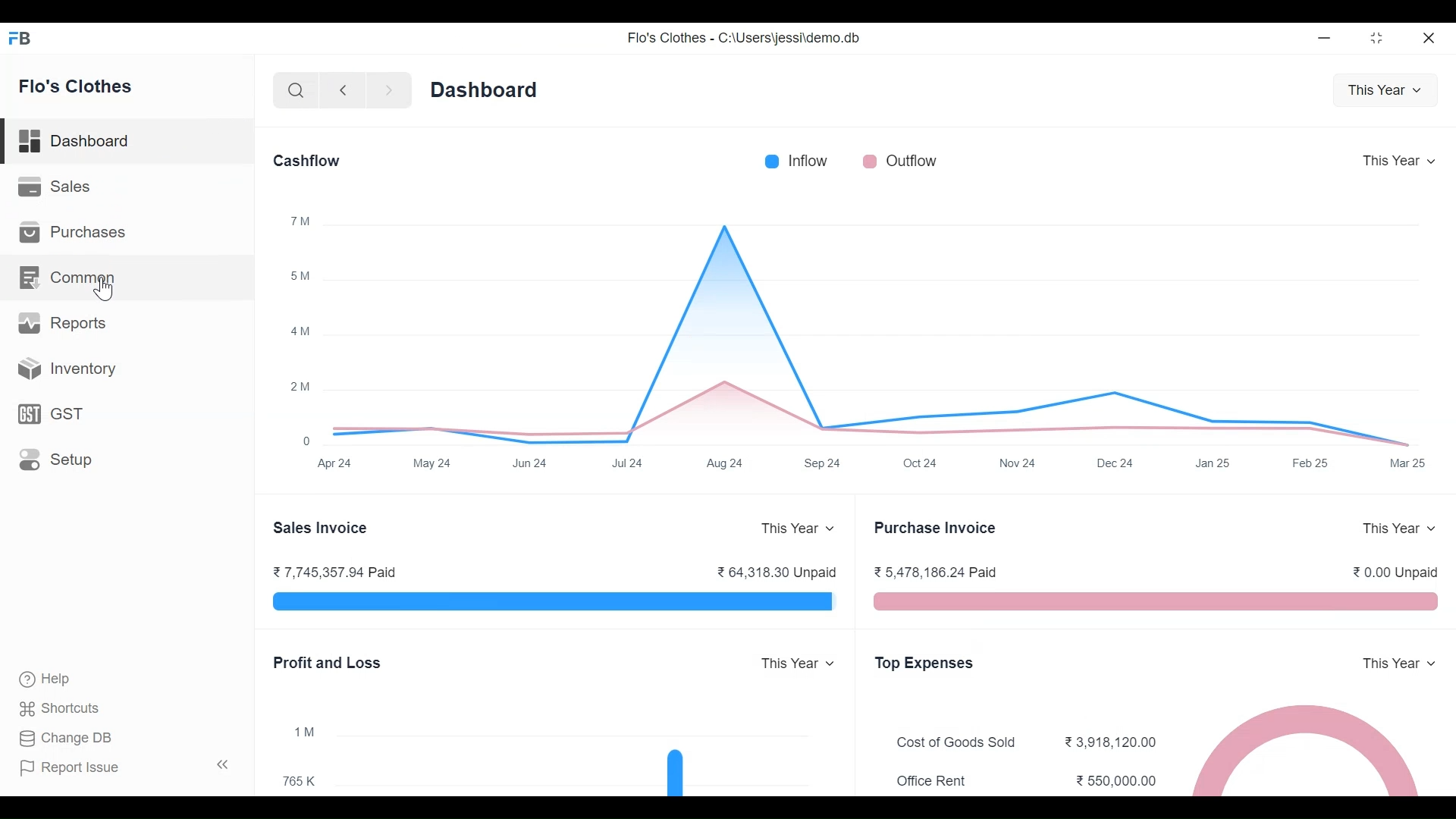  I want to click on 0, so click(308, 442).